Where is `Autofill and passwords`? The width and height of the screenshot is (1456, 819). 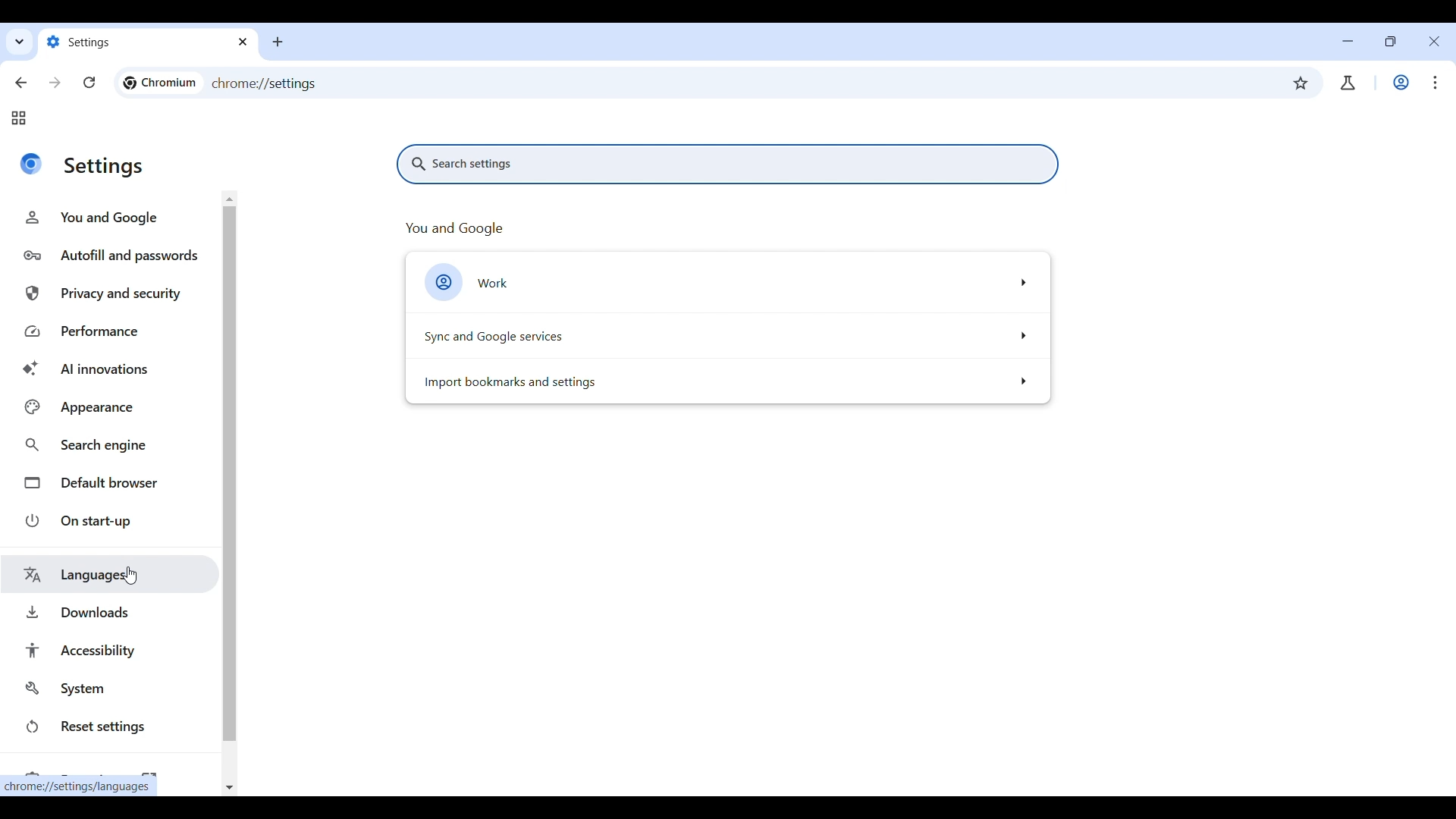
Autofill and passwords is located at coordinates (111, 256).